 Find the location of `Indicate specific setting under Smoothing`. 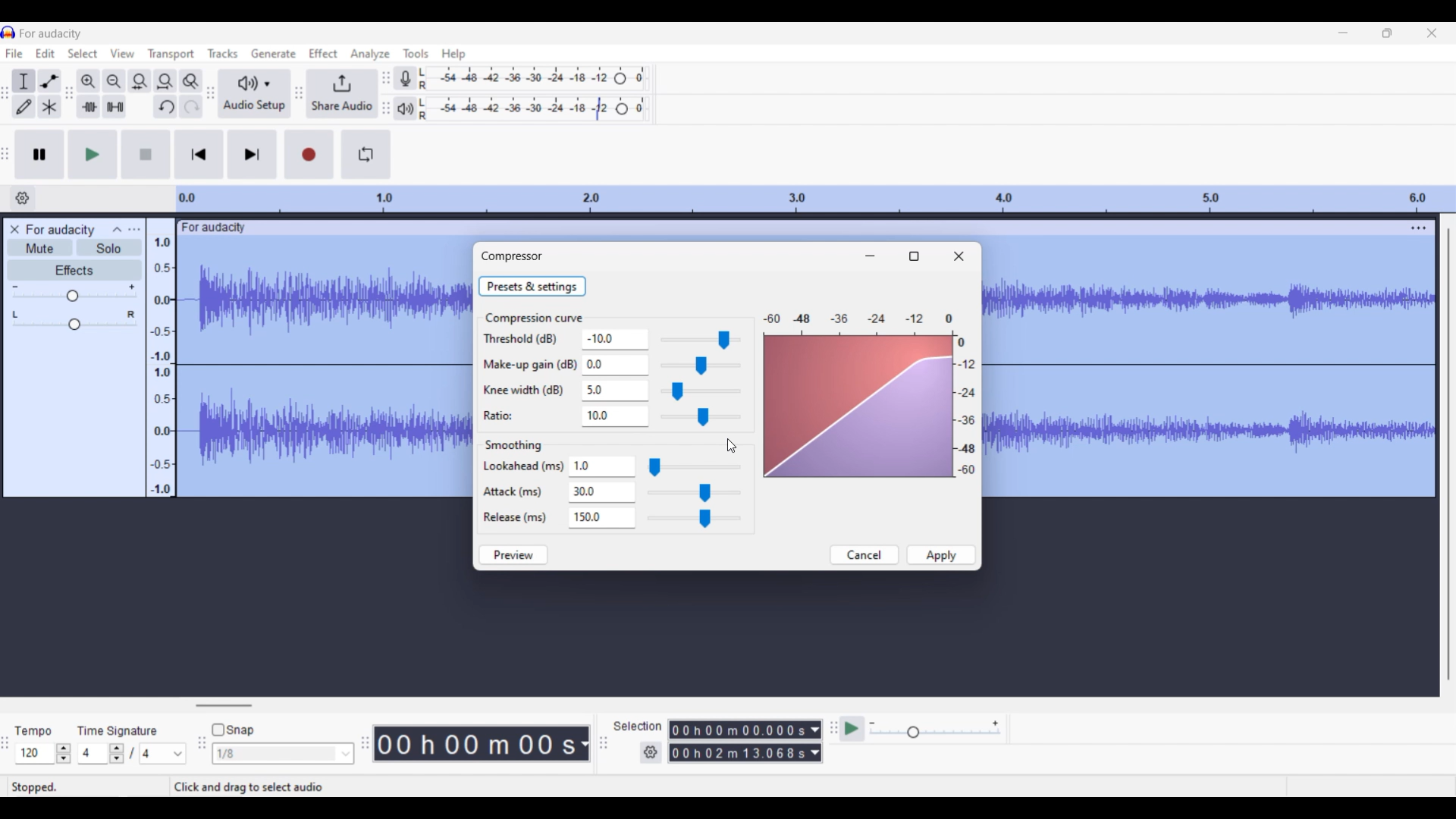

Indicate specific setting under Smoothing is located at coordinates (523, 492).